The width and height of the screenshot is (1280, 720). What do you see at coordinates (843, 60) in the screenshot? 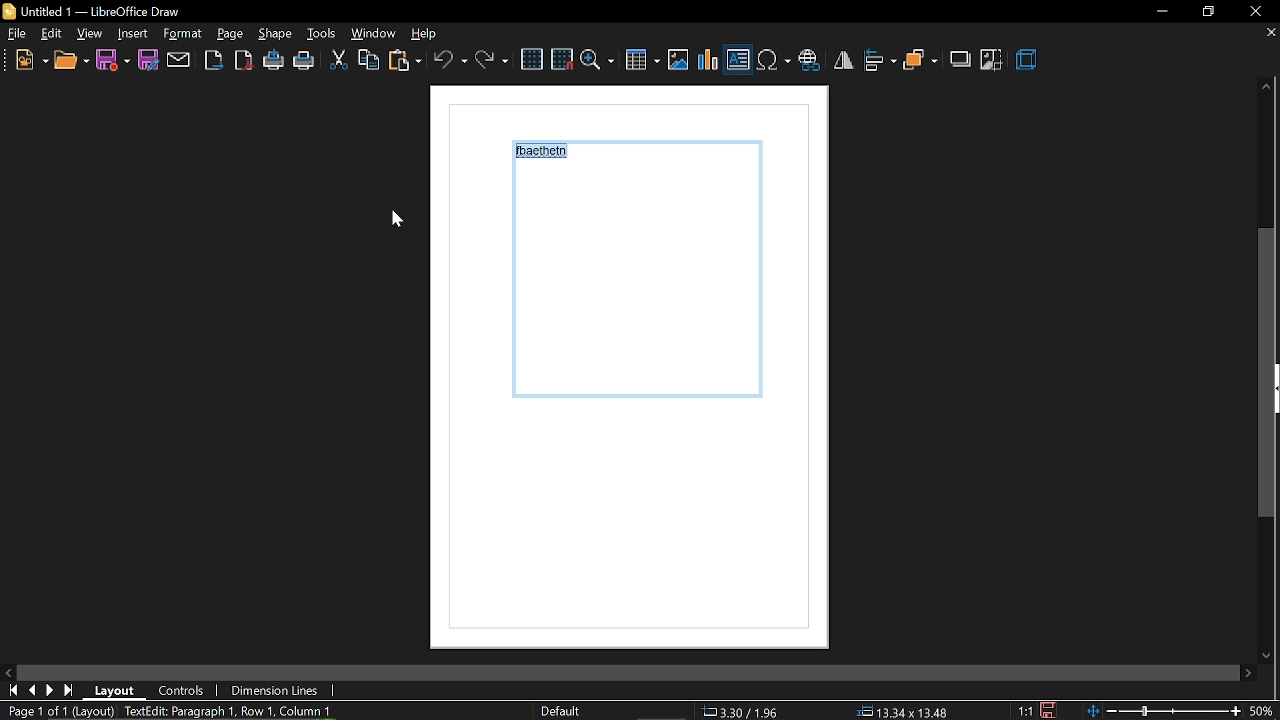
I see `flip` at bounding box center [843, 60].